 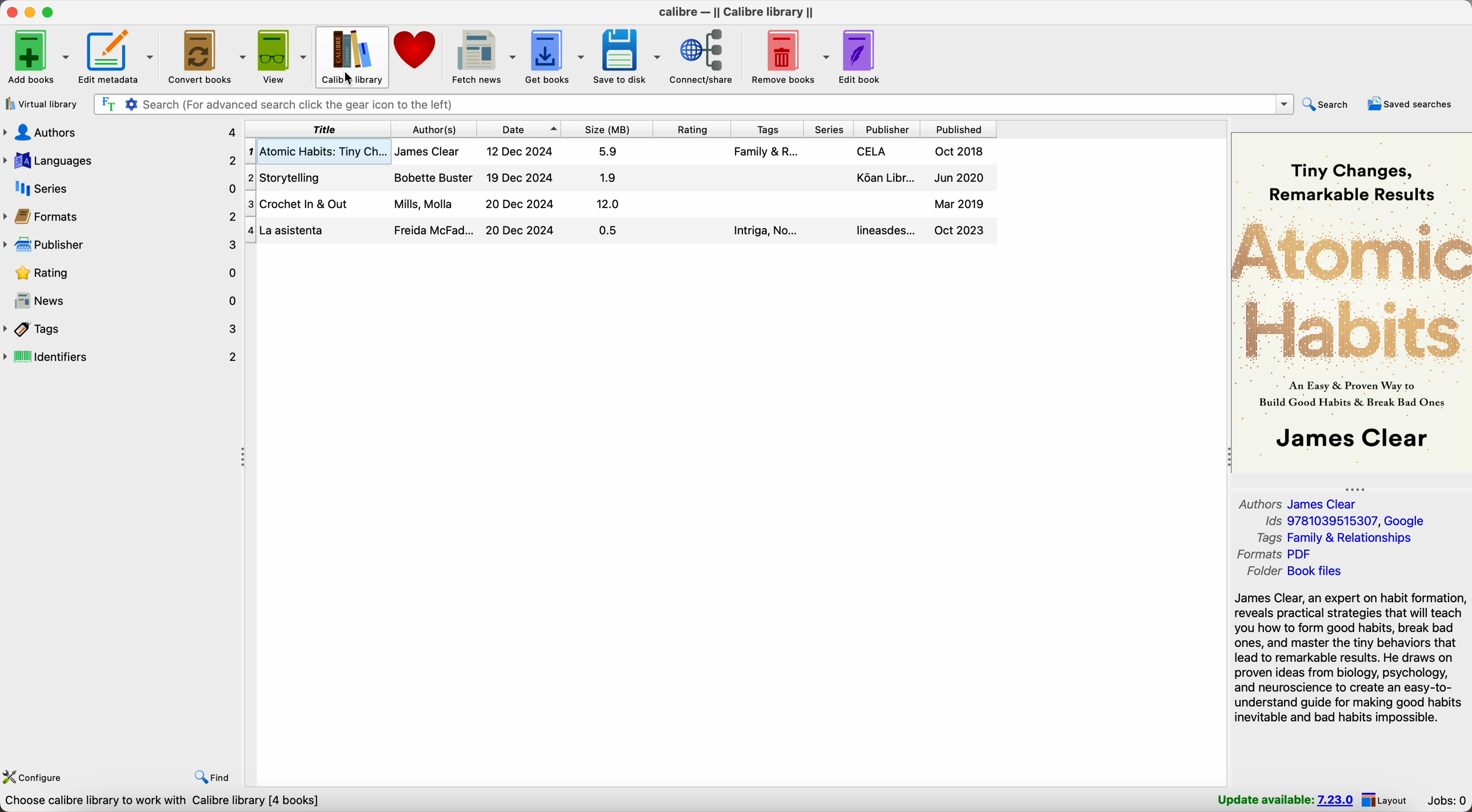 I want to click on Choose Calibre library to work with Calibre library [4 books], so click(x=167, y=802).